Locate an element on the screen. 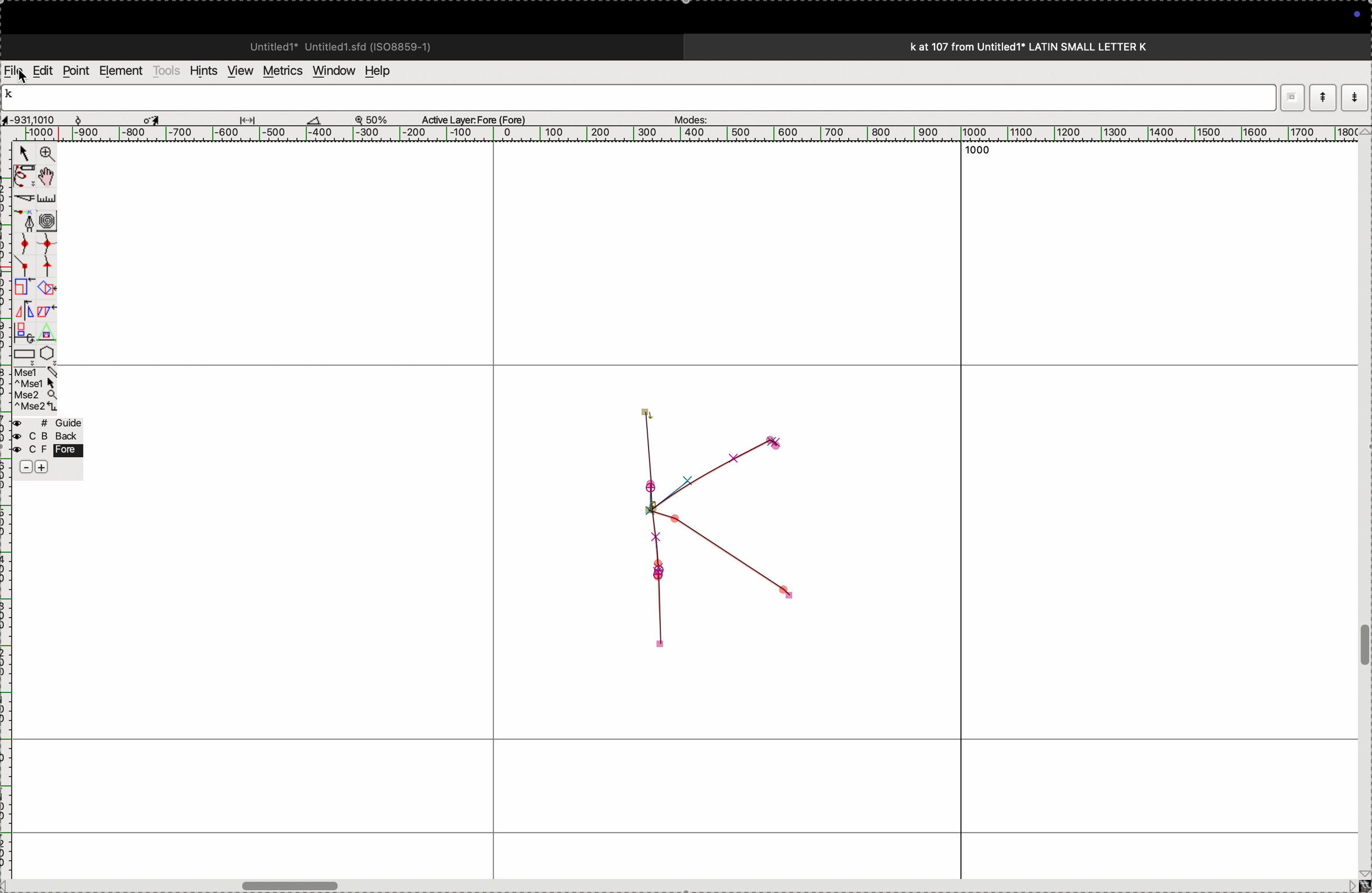  . is located at coordinates (1353, 97).